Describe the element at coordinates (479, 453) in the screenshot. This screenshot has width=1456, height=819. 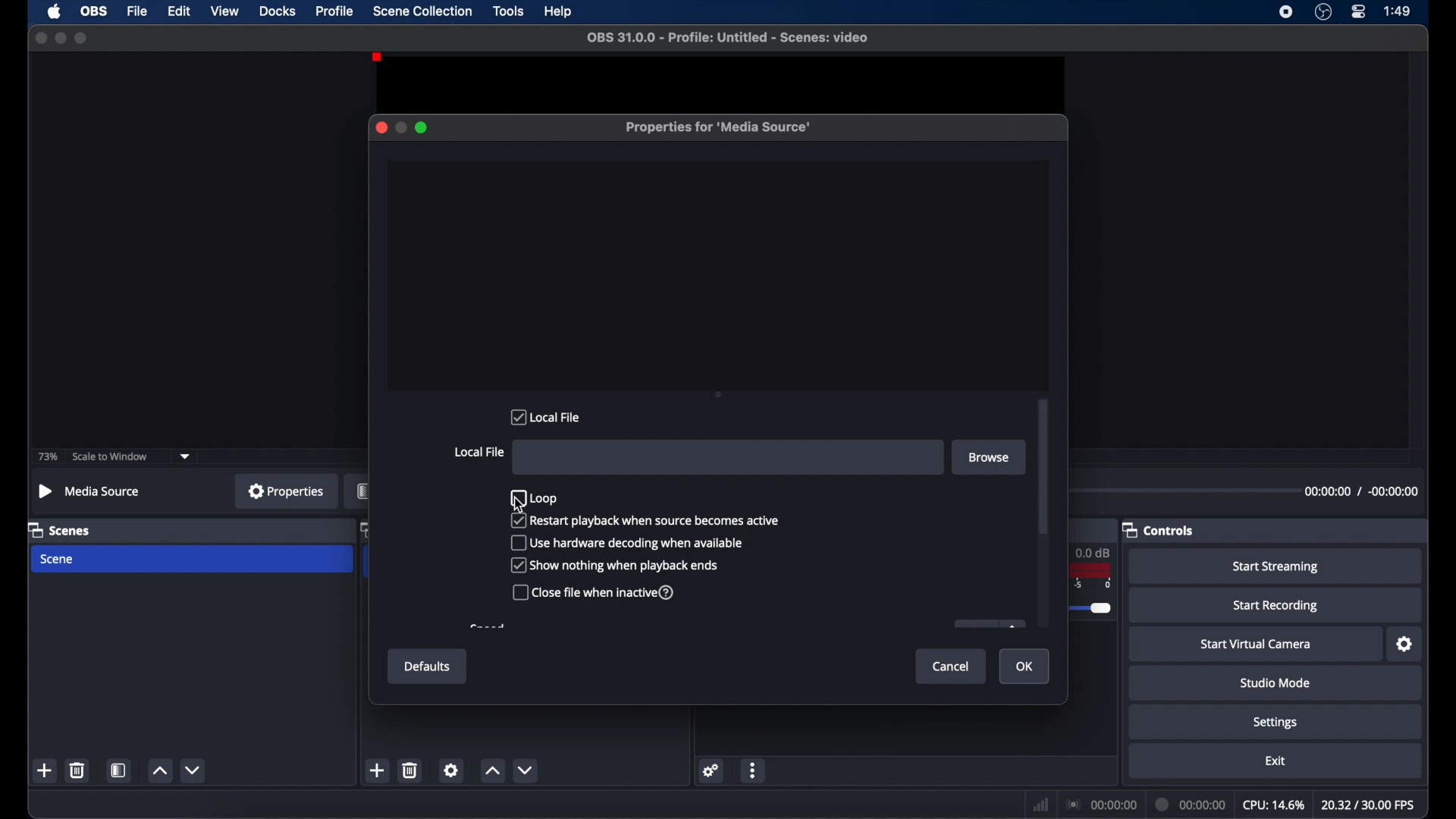
I see `local file` at that location.